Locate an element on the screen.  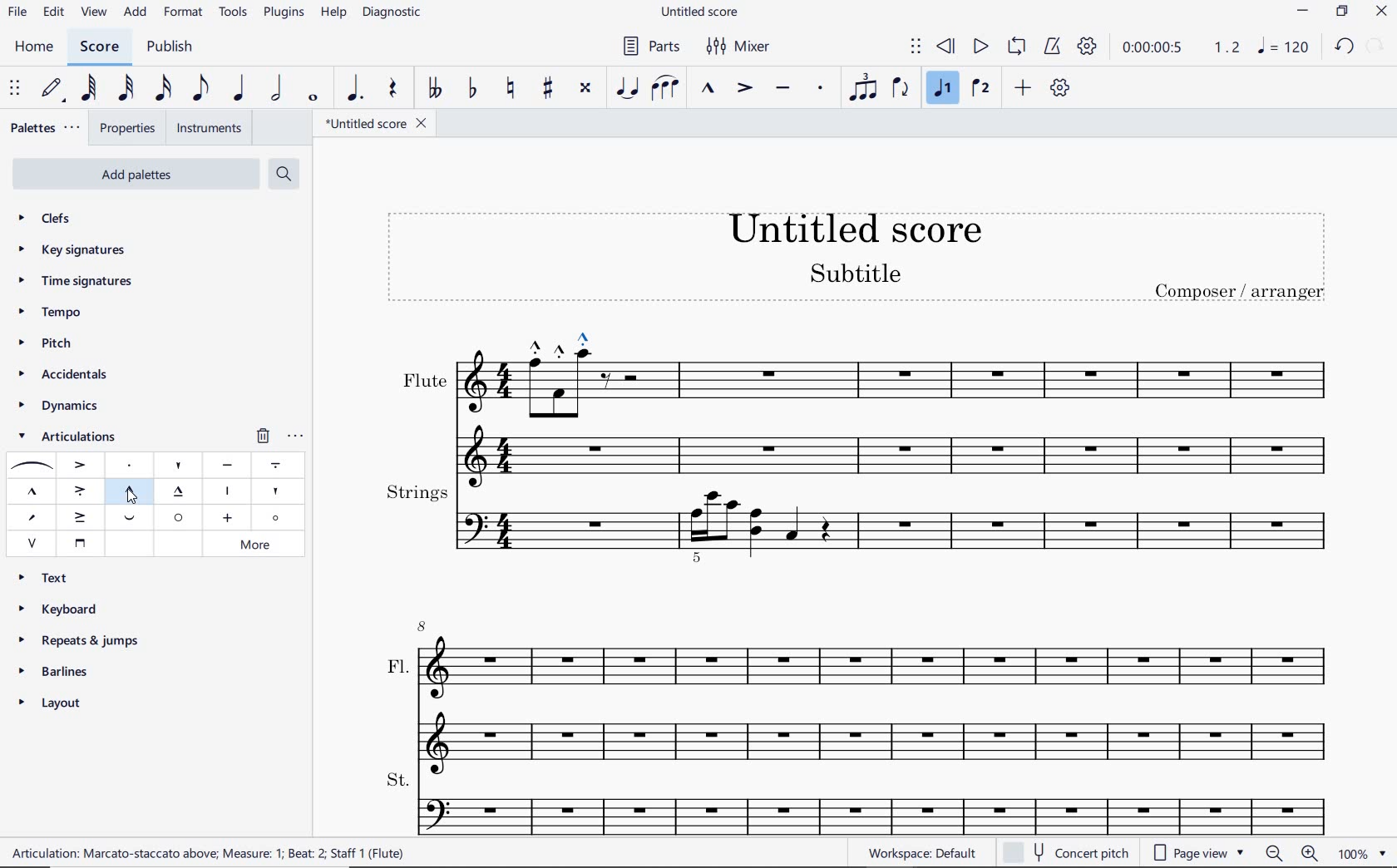
FLIP DIRECTION is located at coordinates (900, 89).